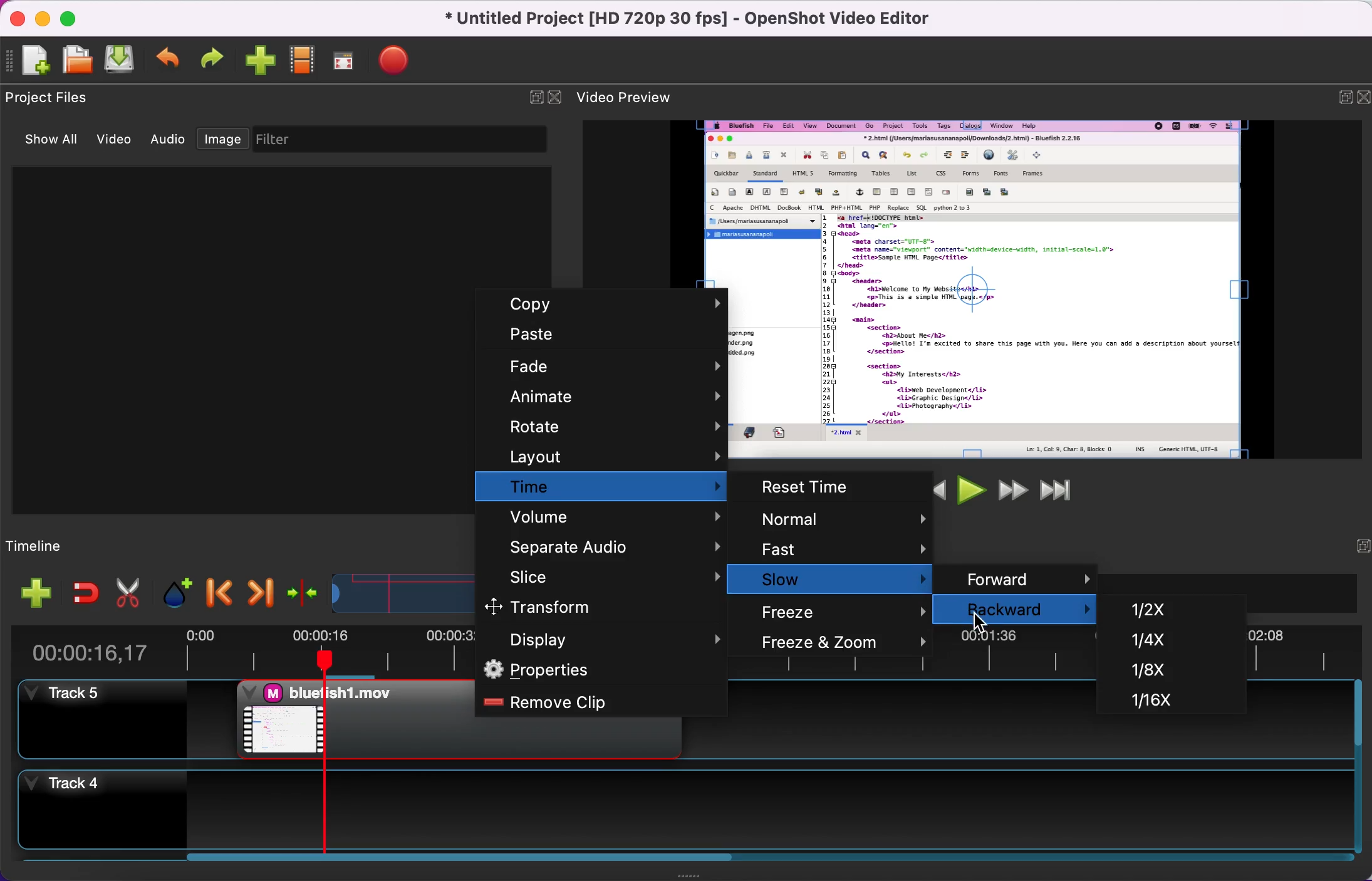  What do you see at coordinates (637, 95) in the screenshot?
I see `video preview` at bounding box center [637, 95].